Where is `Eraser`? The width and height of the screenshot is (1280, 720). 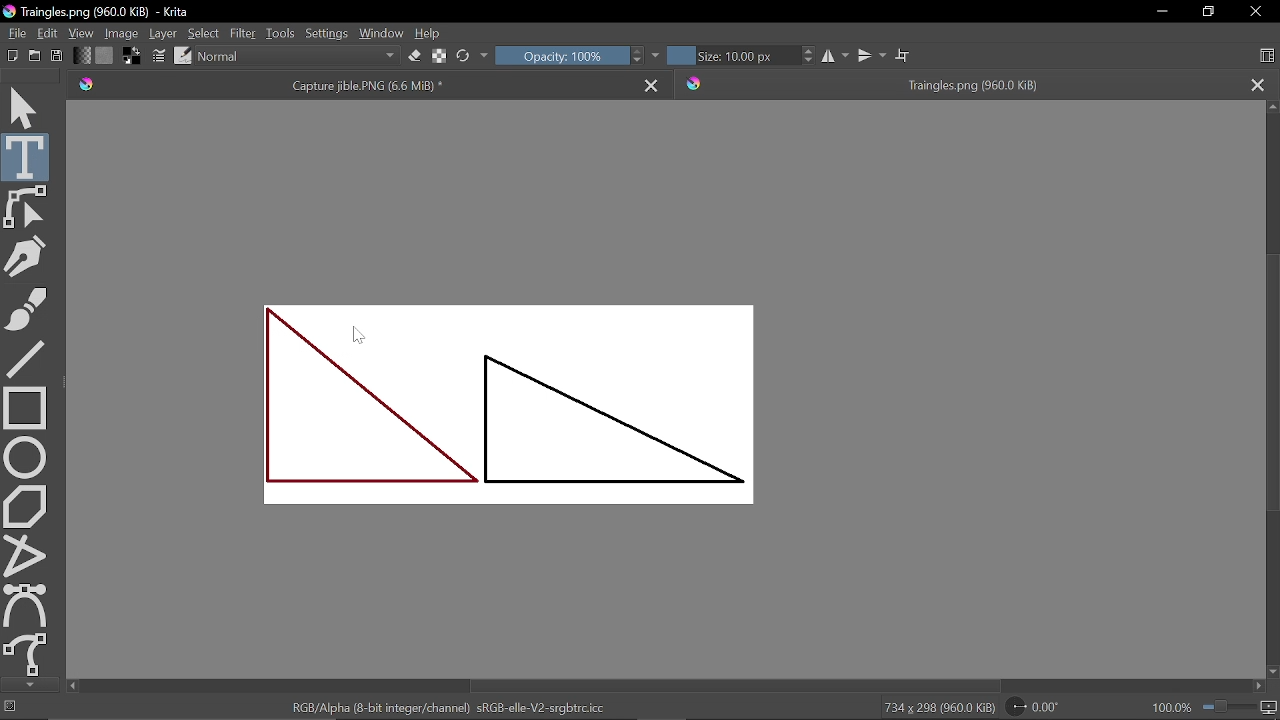 Eraser is located at coordinates (412, 57).